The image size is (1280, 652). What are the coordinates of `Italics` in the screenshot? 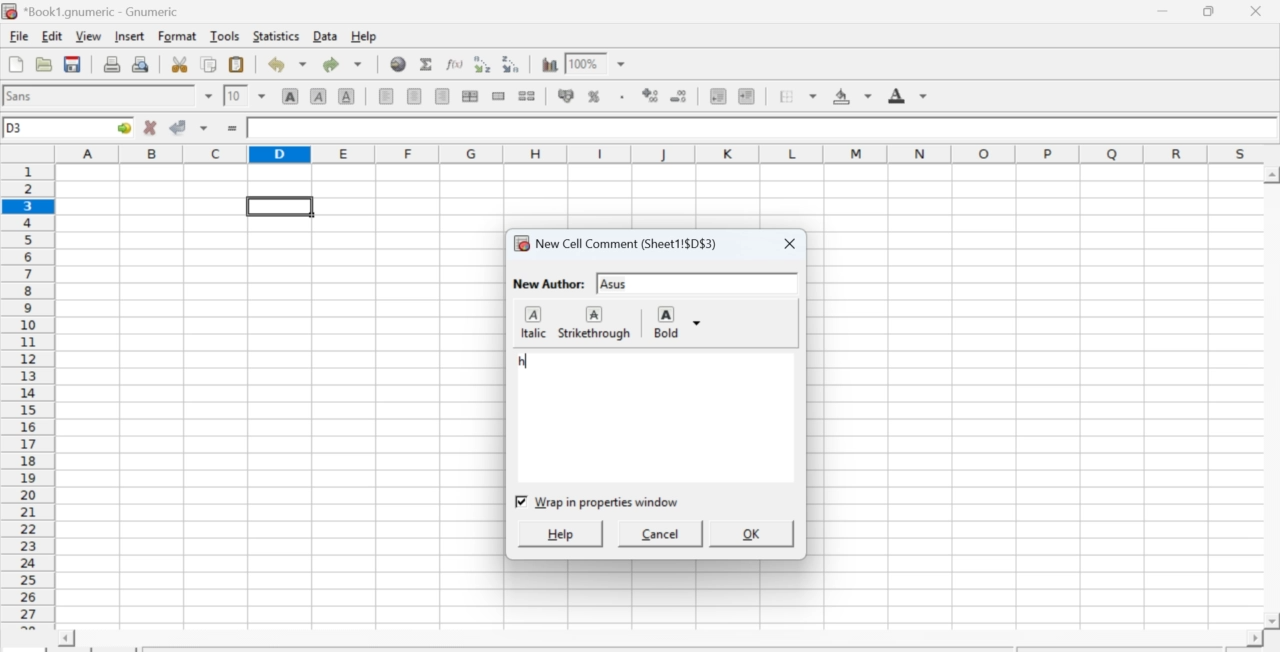 It's located at (318, 96).